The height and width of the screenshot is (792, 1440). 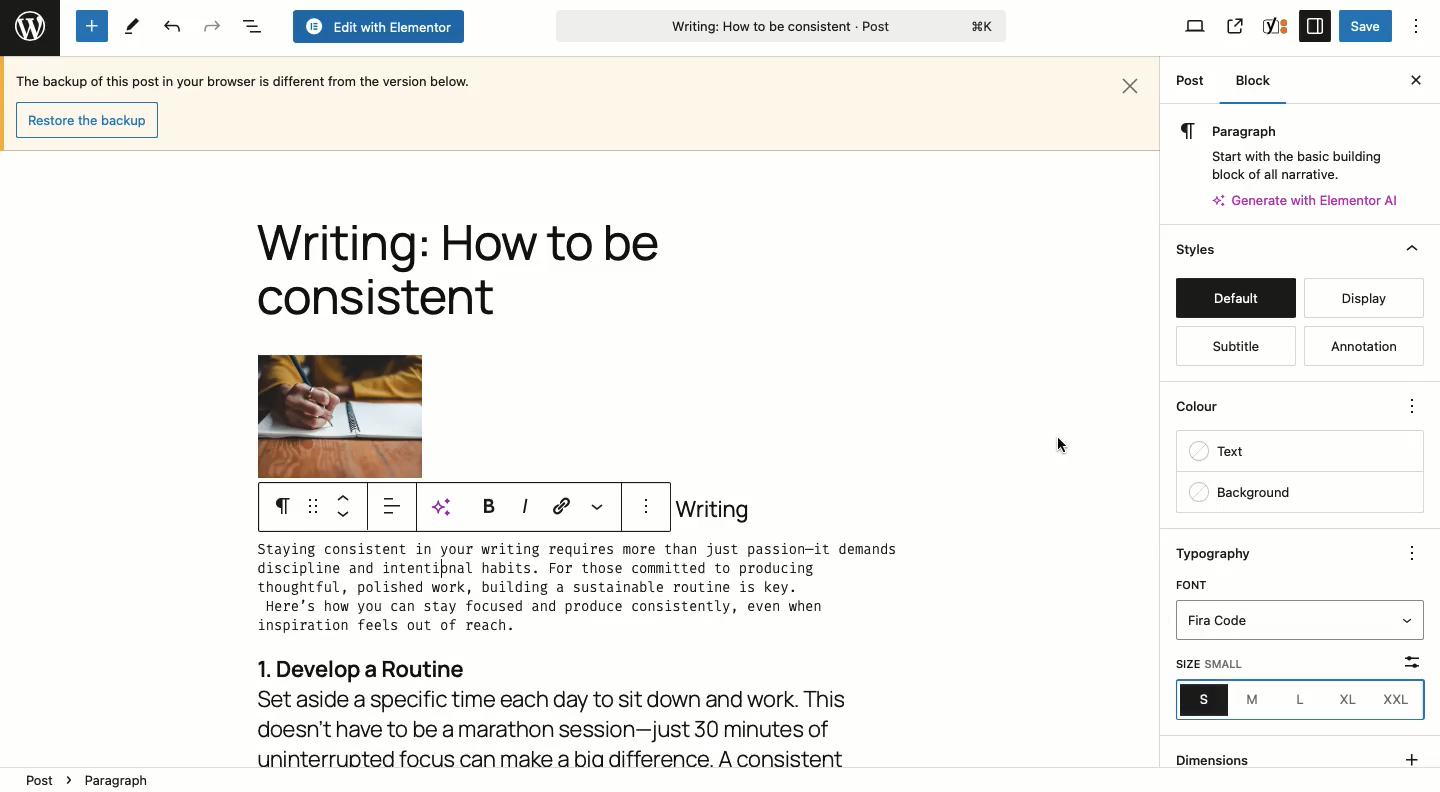 What do you see at coordinates (1414, 404) in the screenshot?
I see `More` at bounding box center [1414, 404].